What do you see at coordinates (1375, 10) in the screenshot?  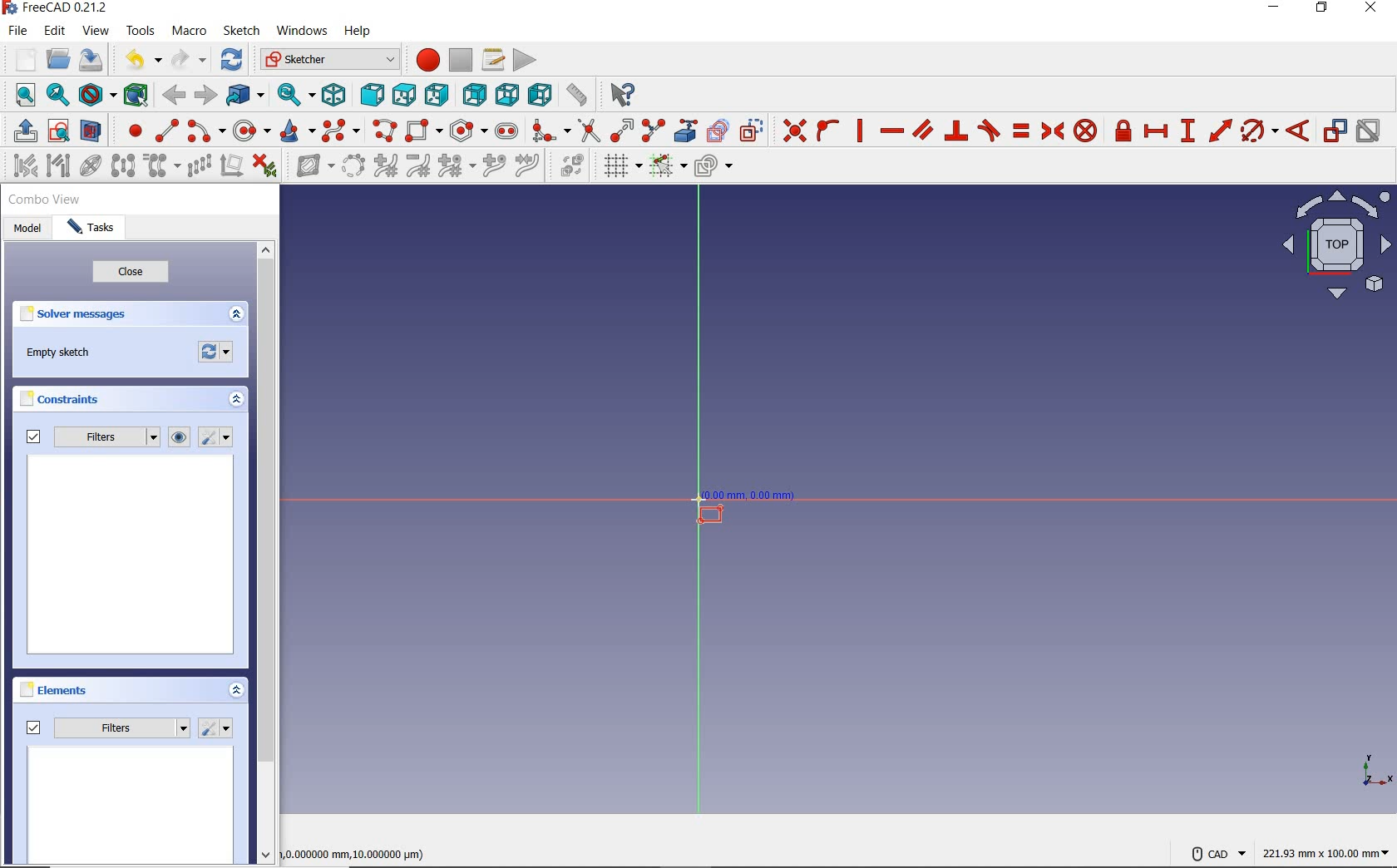 I see `close` at bounding box center [1375, 10].